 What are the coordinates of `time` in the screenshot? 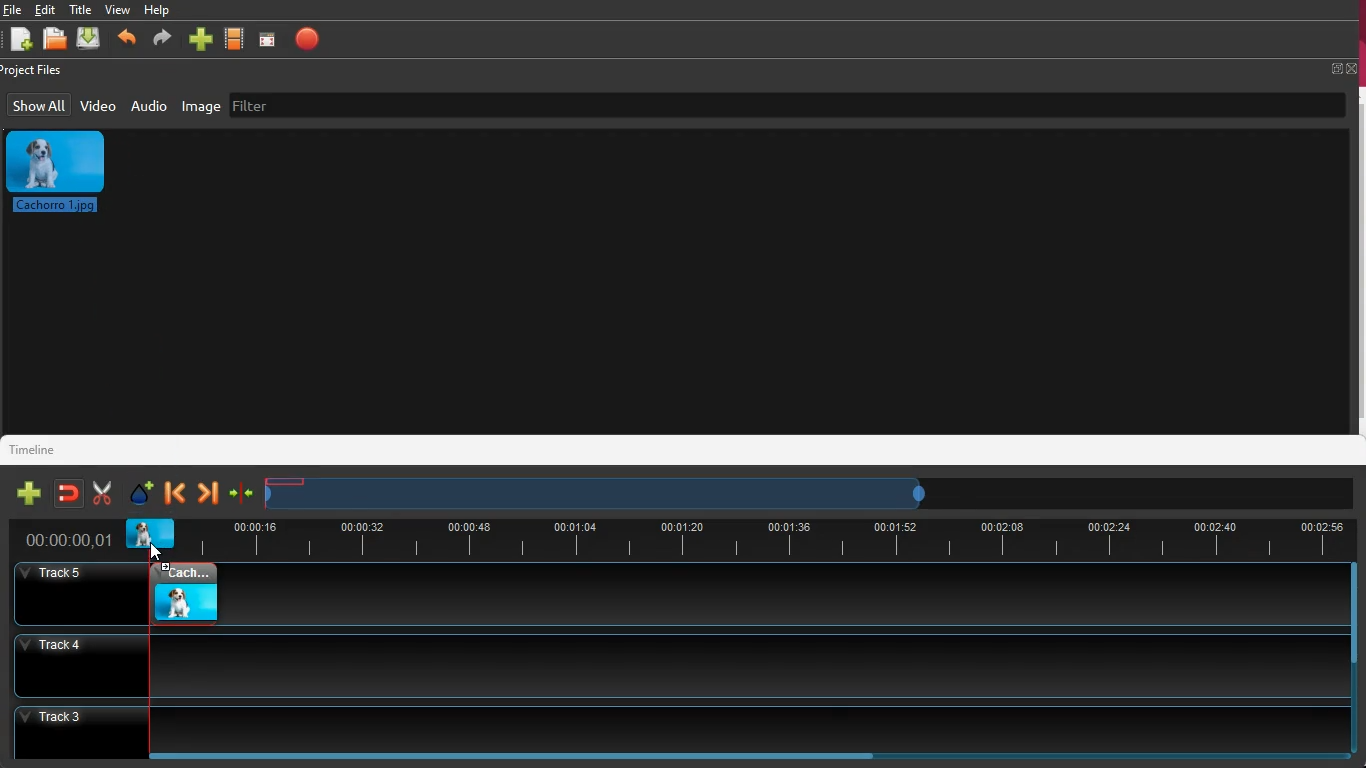 It's located at (55, 539).